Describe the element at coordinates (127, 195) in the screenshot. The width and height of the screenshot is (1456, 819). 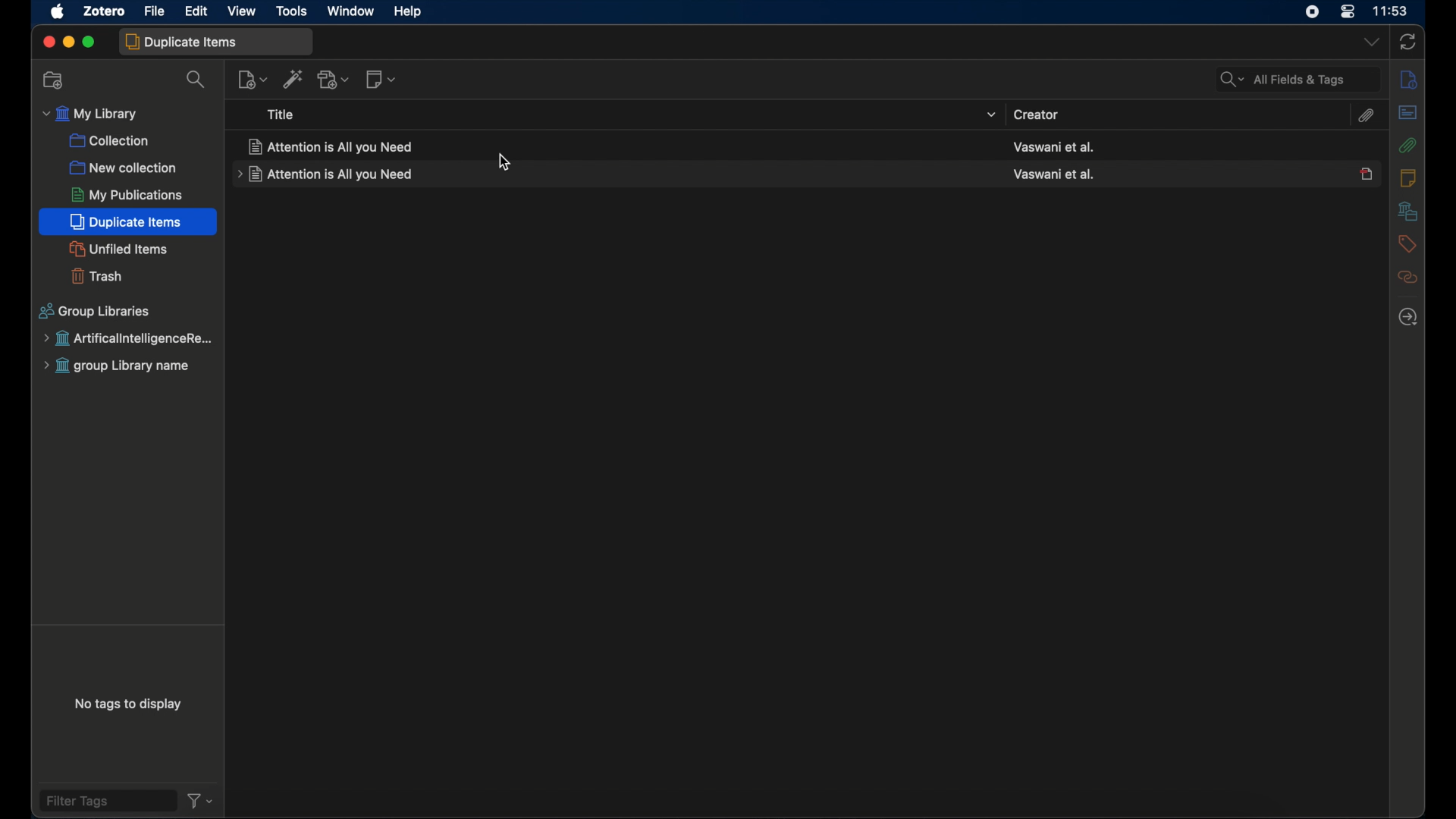
I see `my publications` at that location.